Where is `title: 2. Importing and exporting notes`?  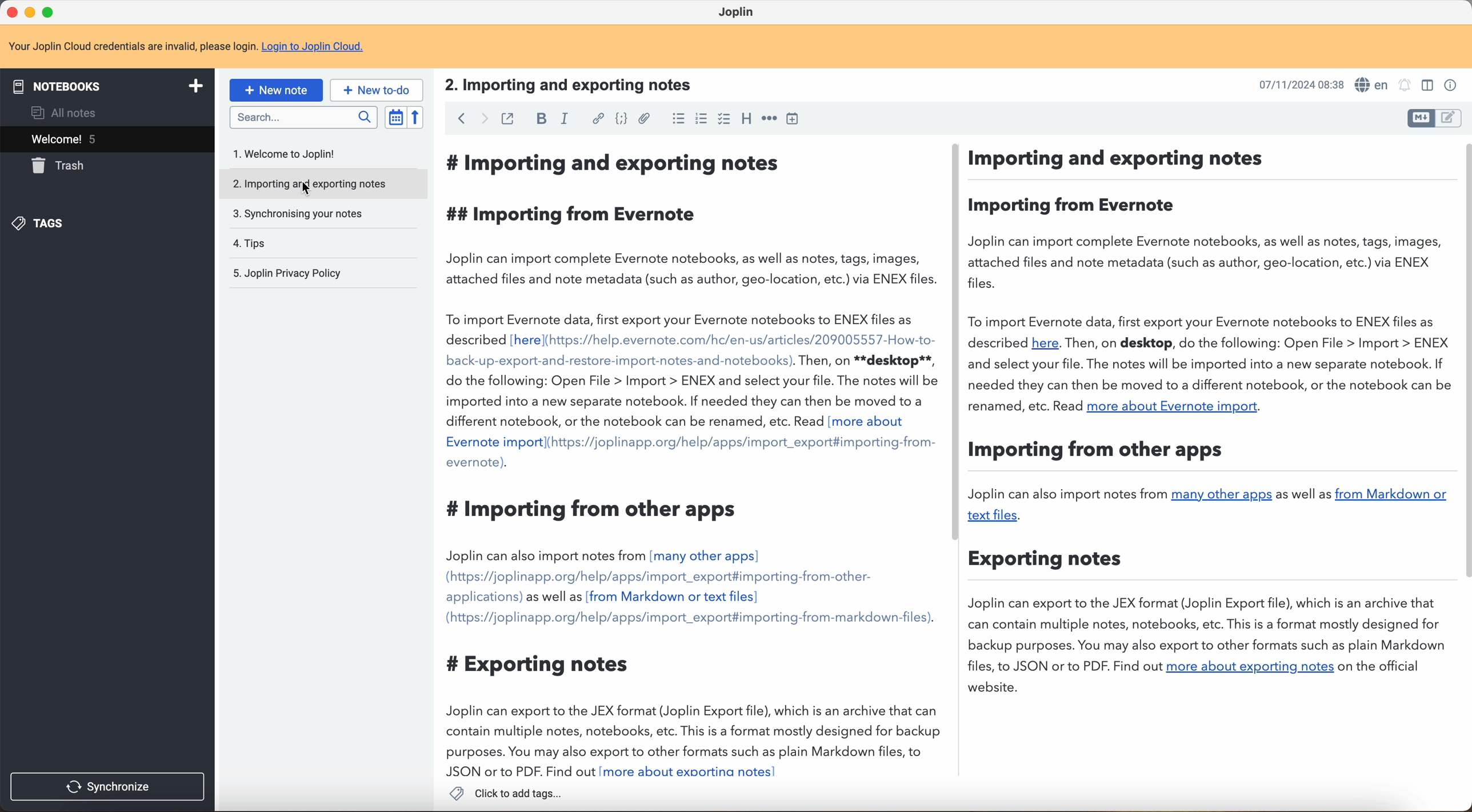 title: 2. Importing and exporting notes is located at coordinates (578, 85).